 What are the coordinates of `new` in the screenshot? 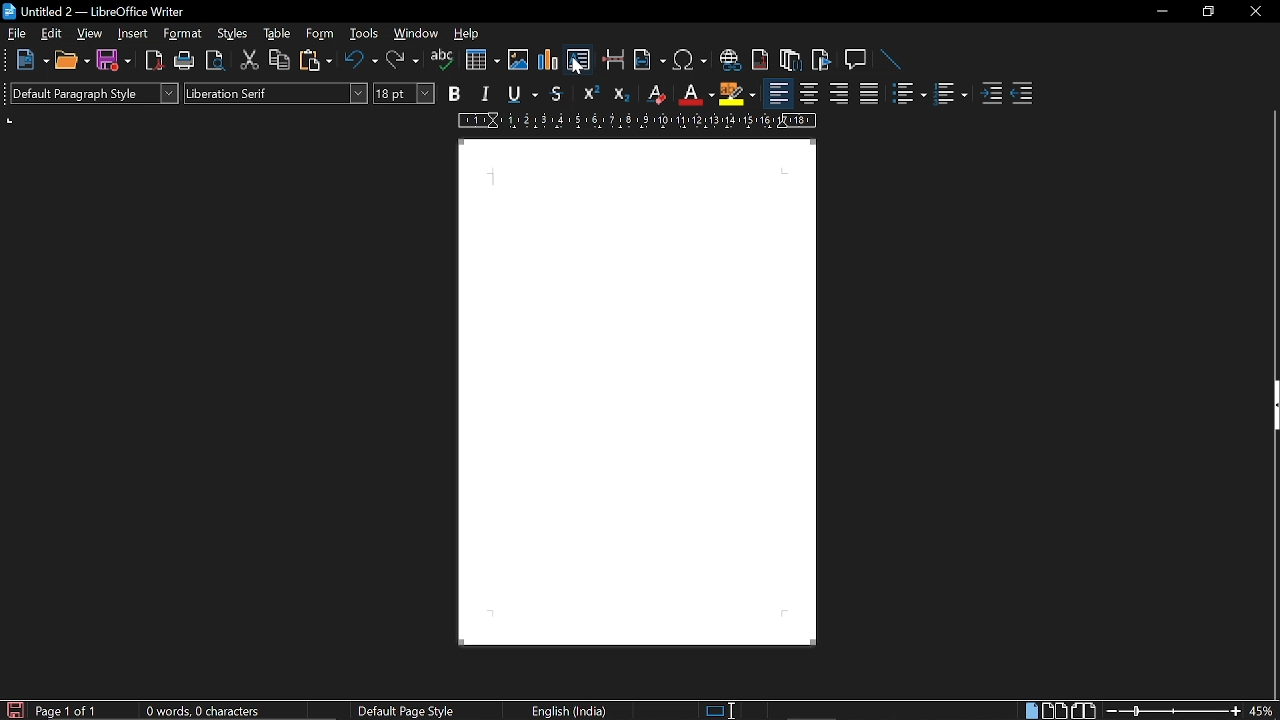 It's located at (31, 59).